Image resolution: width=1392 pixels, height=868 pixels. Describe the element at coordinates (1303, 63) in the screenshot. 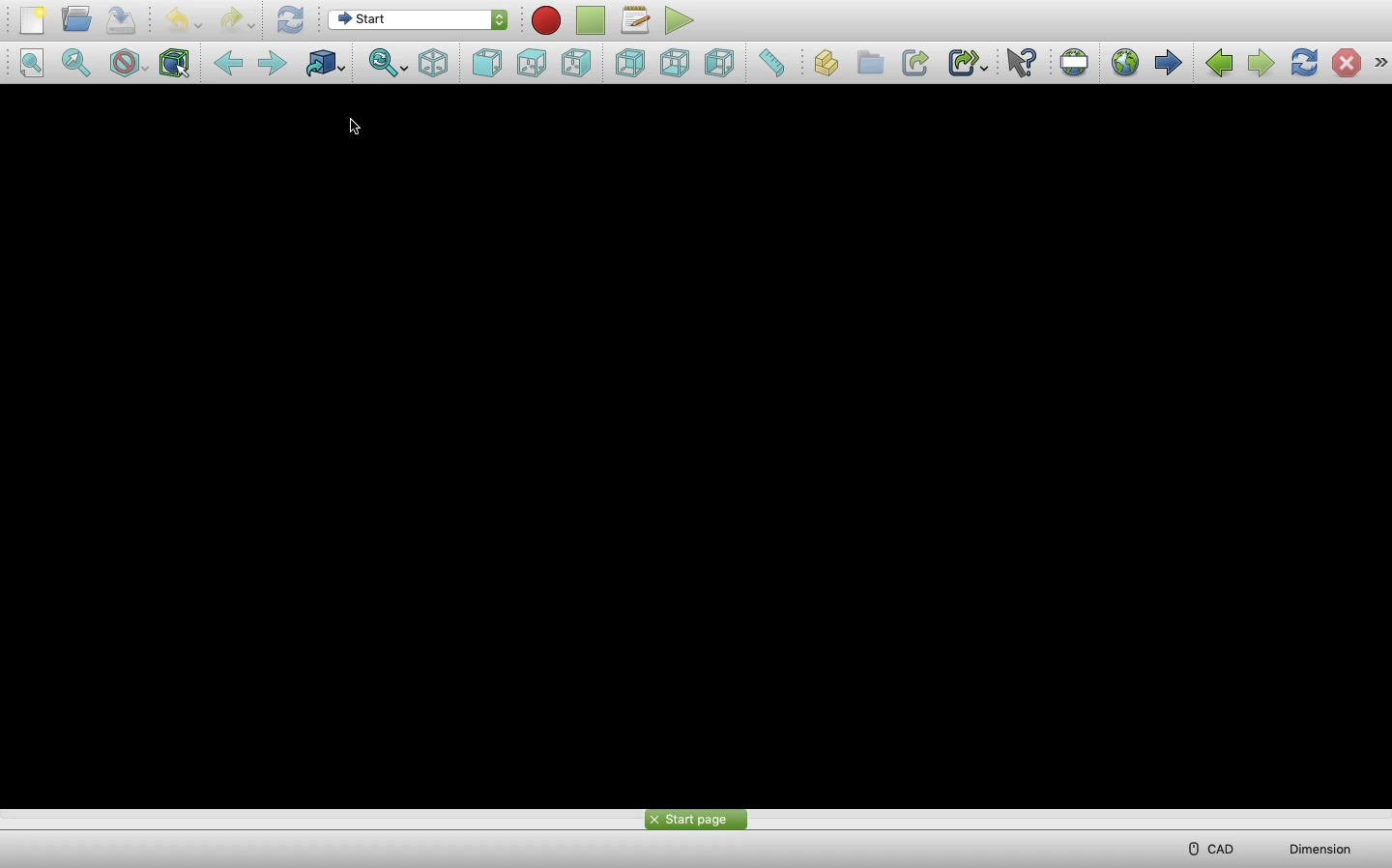

I see `Refresh` at that location.